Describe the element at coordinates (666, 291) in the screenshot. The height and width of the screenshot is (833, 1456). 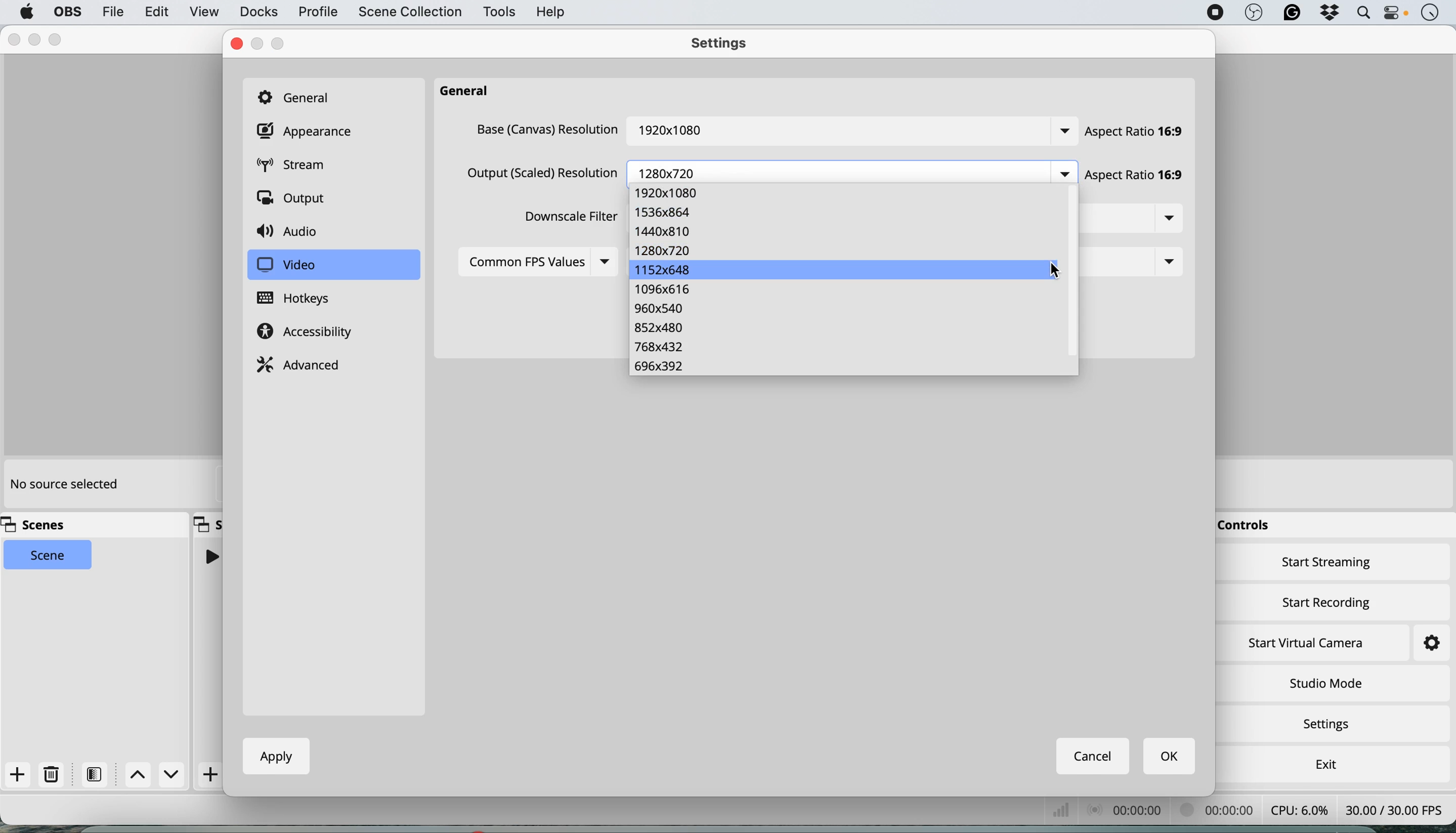
I see `1096x616` at that location.